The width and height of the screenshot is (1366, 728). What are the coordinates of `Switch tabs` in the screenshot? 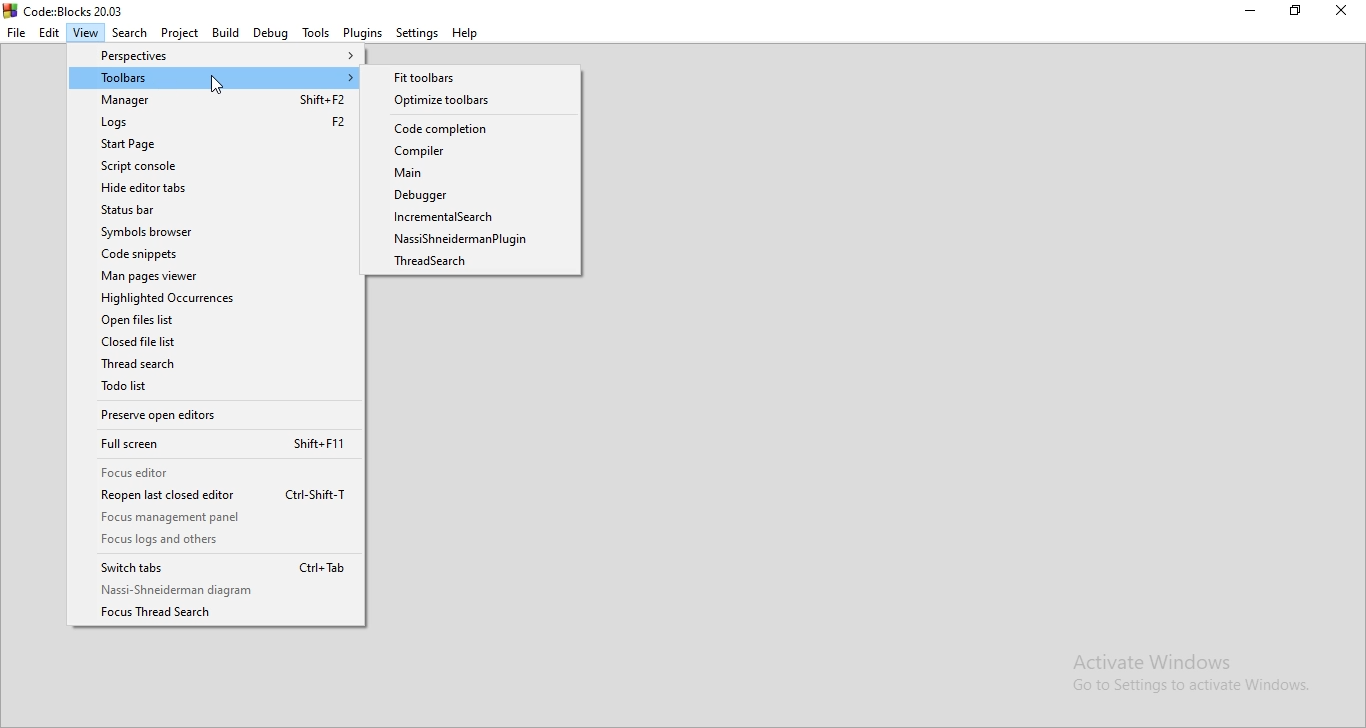 It's located at (213, 569).